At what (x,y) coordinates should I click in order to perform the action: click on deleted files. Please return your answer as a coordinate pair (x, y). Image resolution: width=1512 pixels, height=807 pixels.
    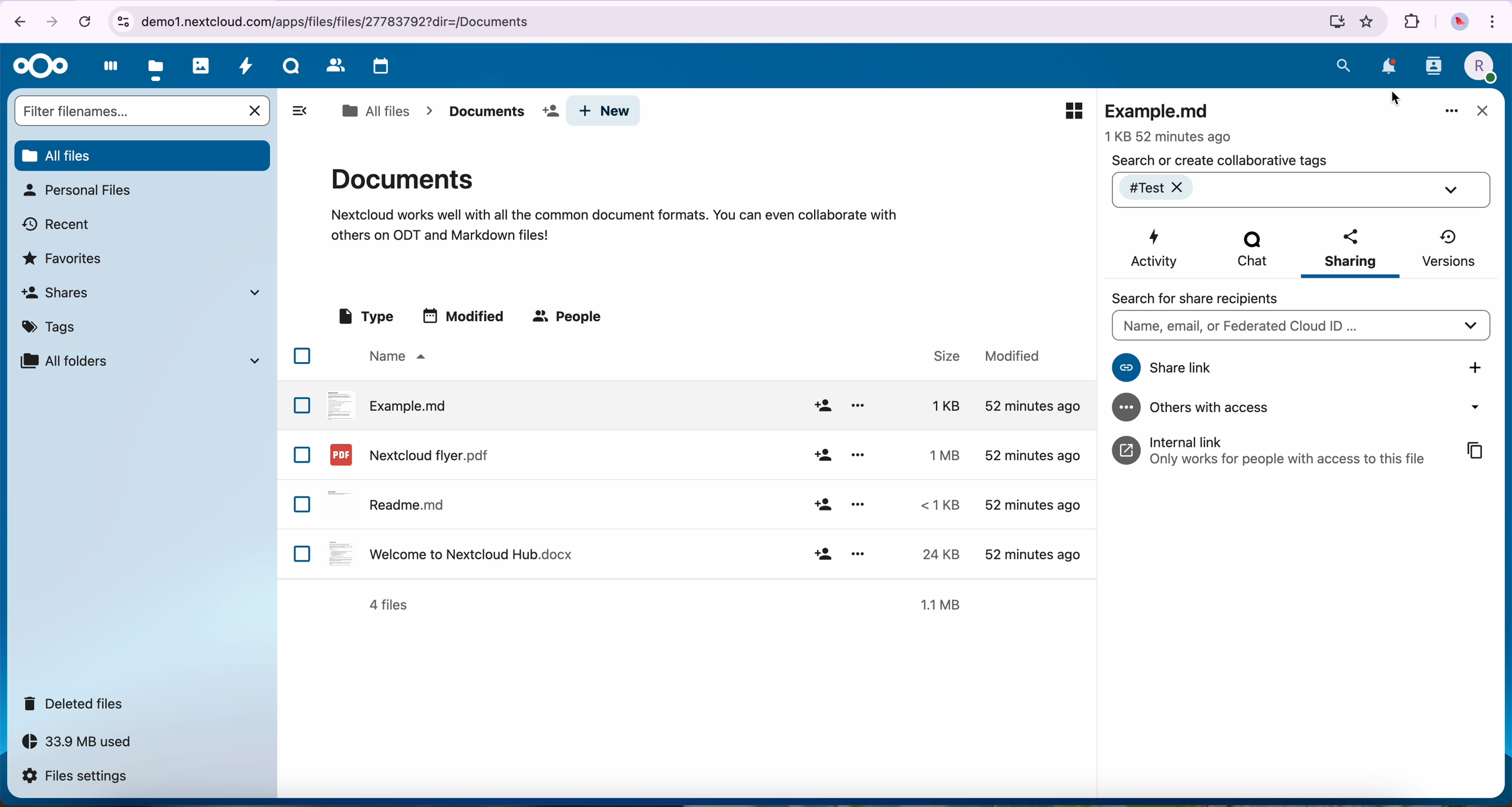
    Looking at the image, I should click on (77, 704).